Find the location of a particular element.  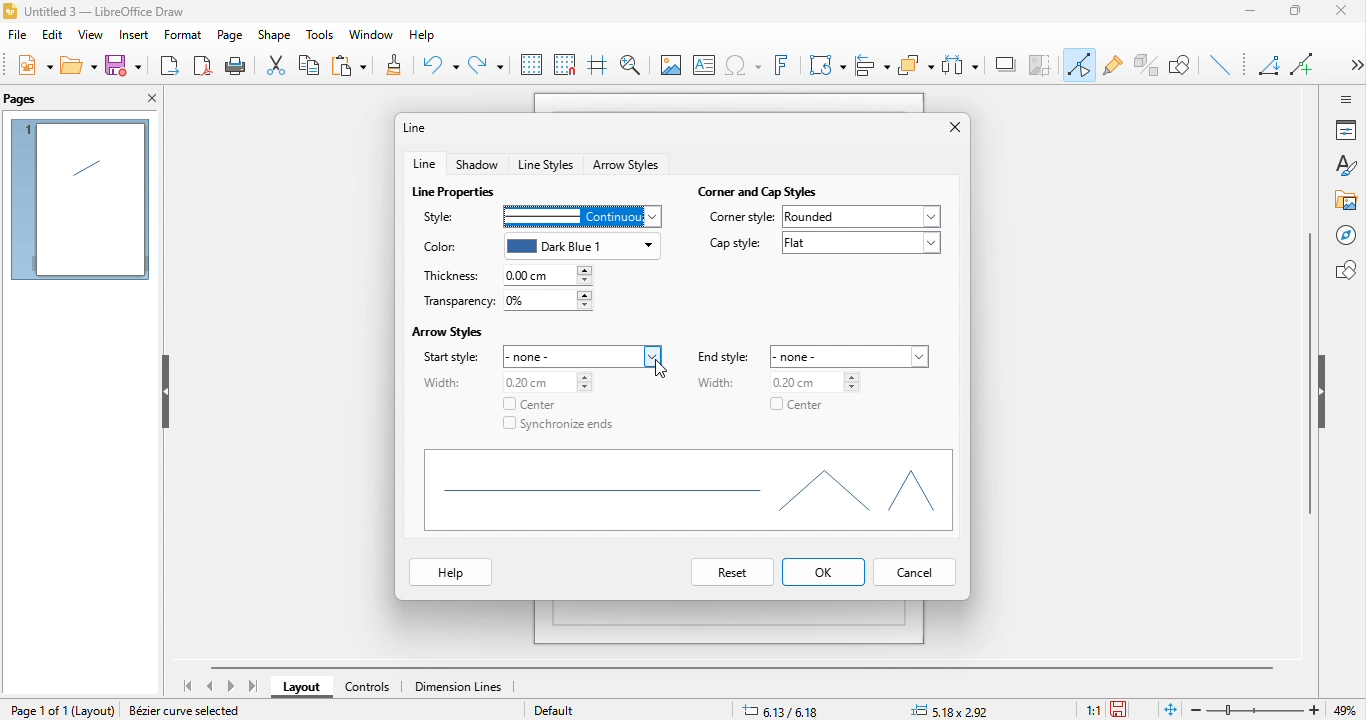

0.20 cm is located at coordinates (806, 381).